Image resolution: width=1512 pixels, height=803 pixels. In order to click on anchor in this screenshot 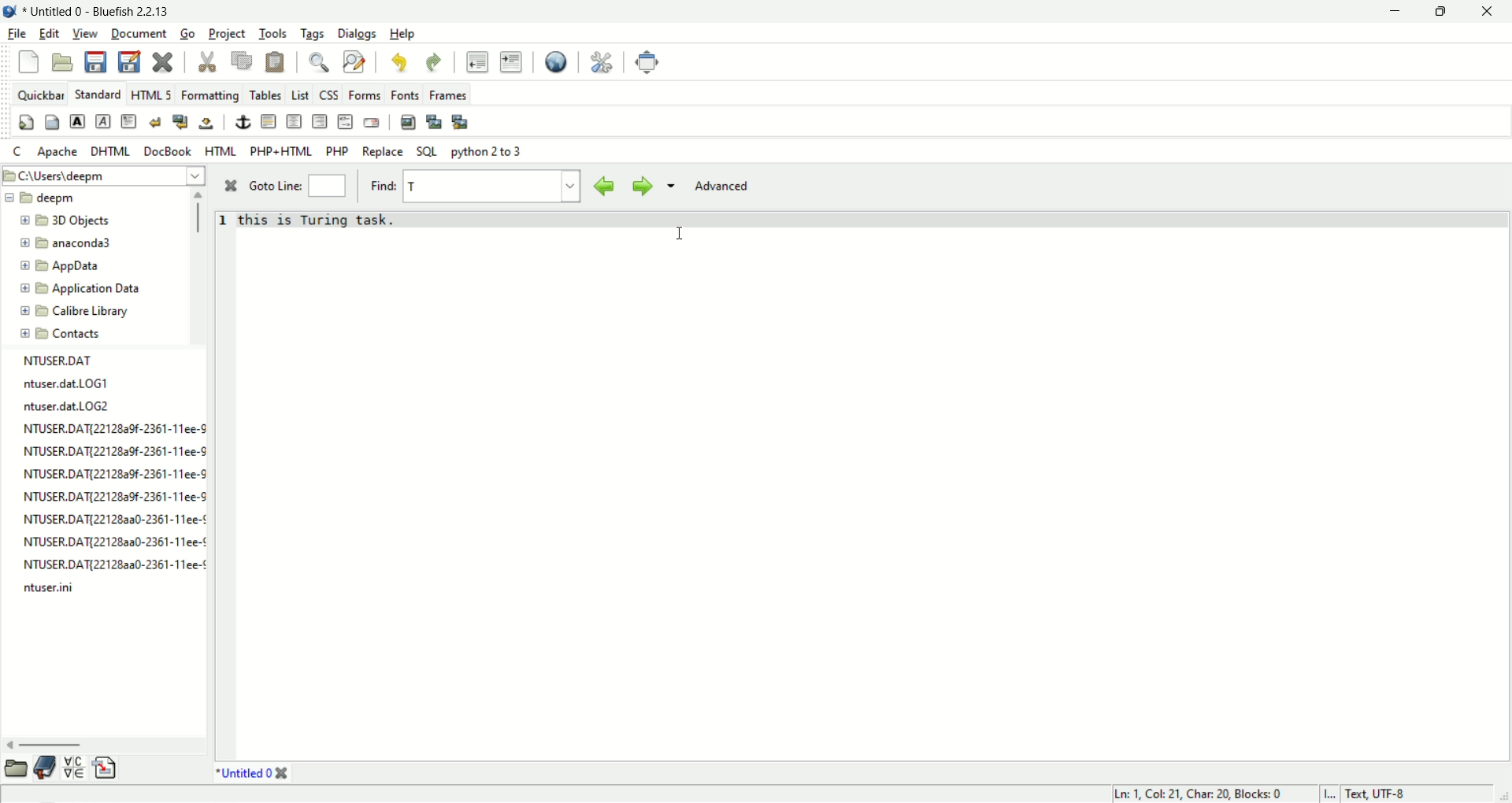, I will do `click(243, 121)`.